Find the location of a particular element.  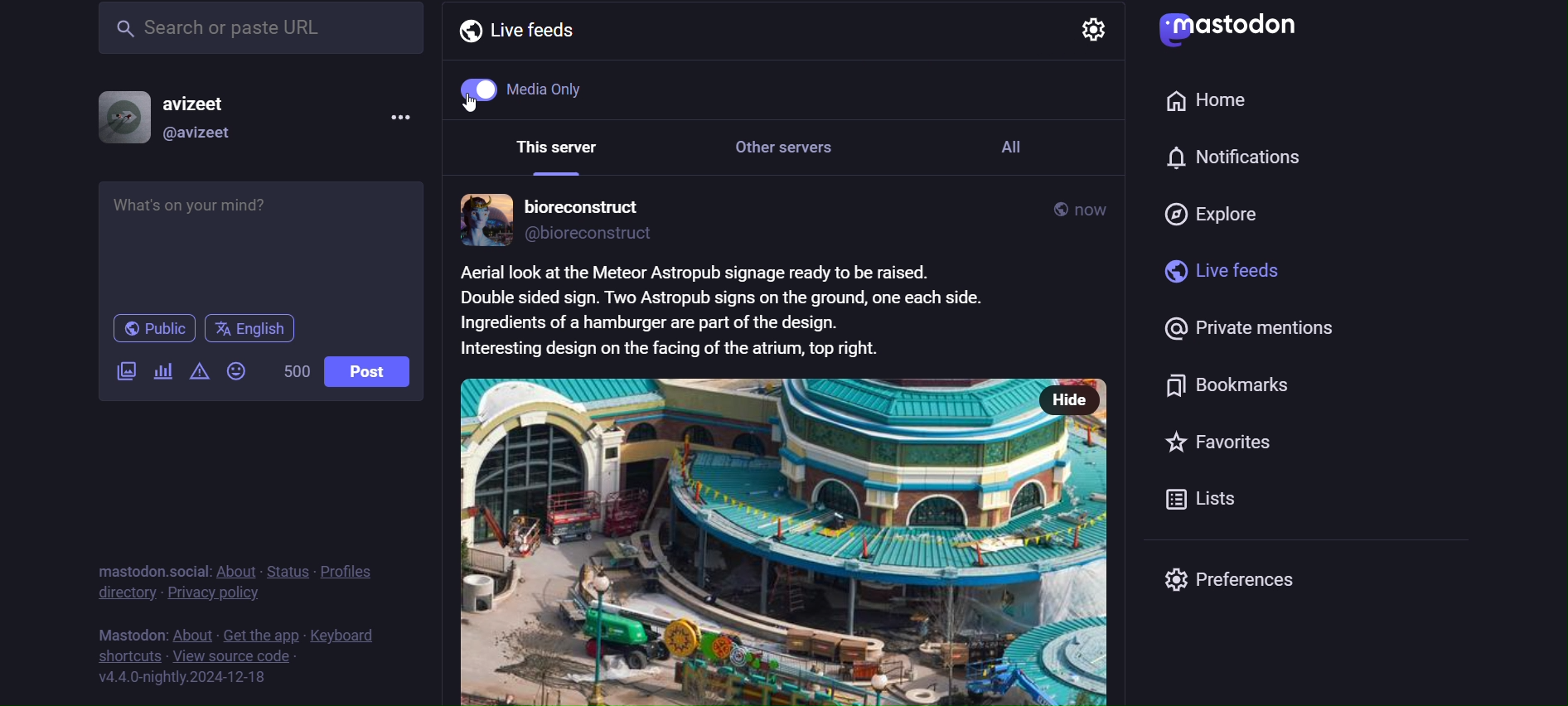

privacy policy is located at coordinates (211, 594).